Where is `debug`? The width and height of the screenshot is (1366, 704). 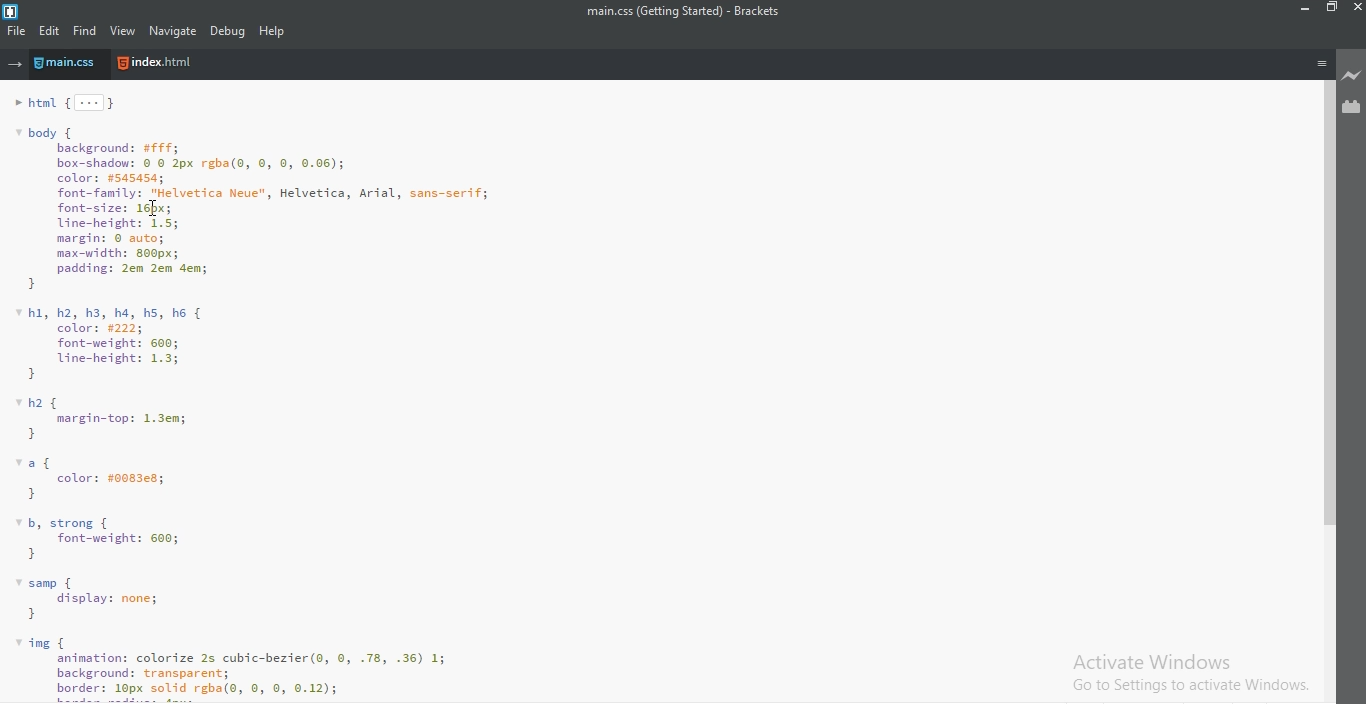 debug is located at coordinates (228, 31).